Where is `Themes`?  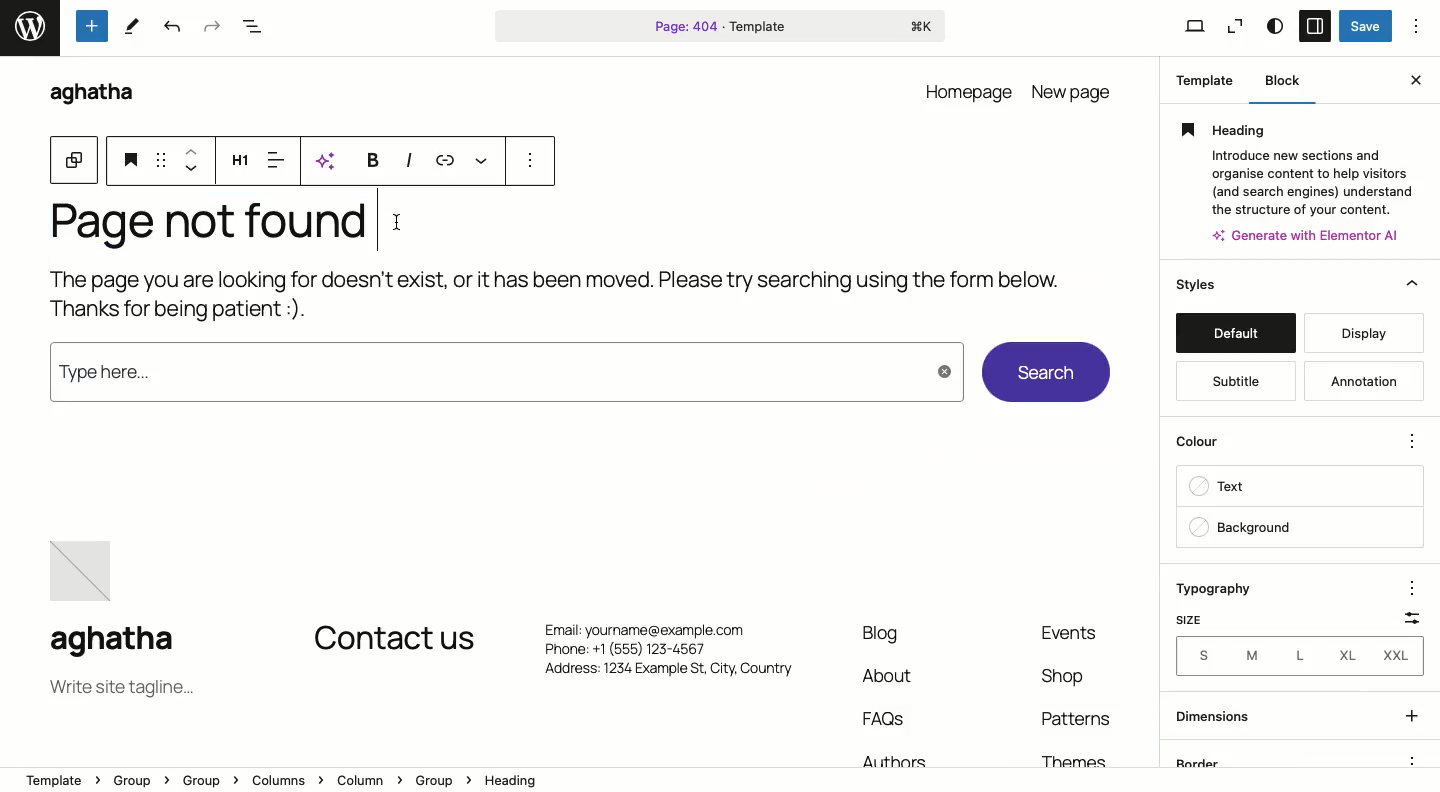 Themes is located at coordinates (1080, 758).